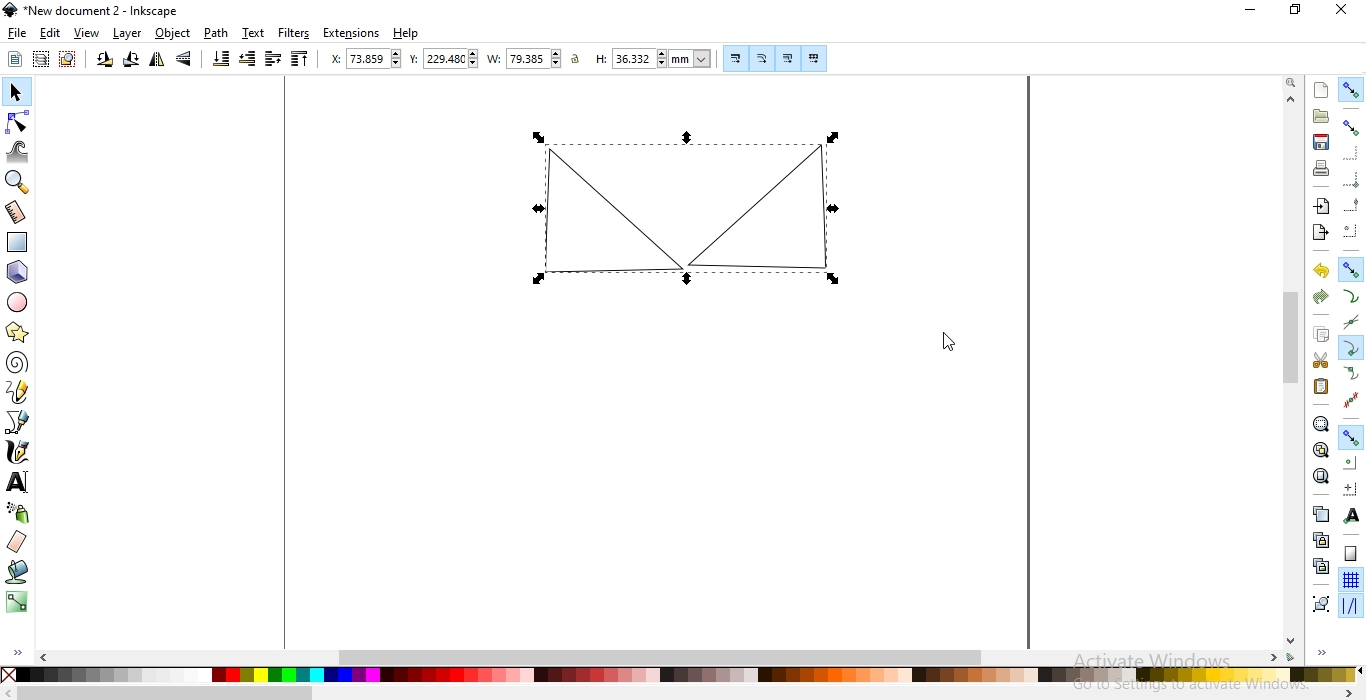 This screenshot has height=700, width=1366. What do you see at coordinates (248, 60) in the screenshot?
I see `lower selection one step` at bounding box center [248, 60].